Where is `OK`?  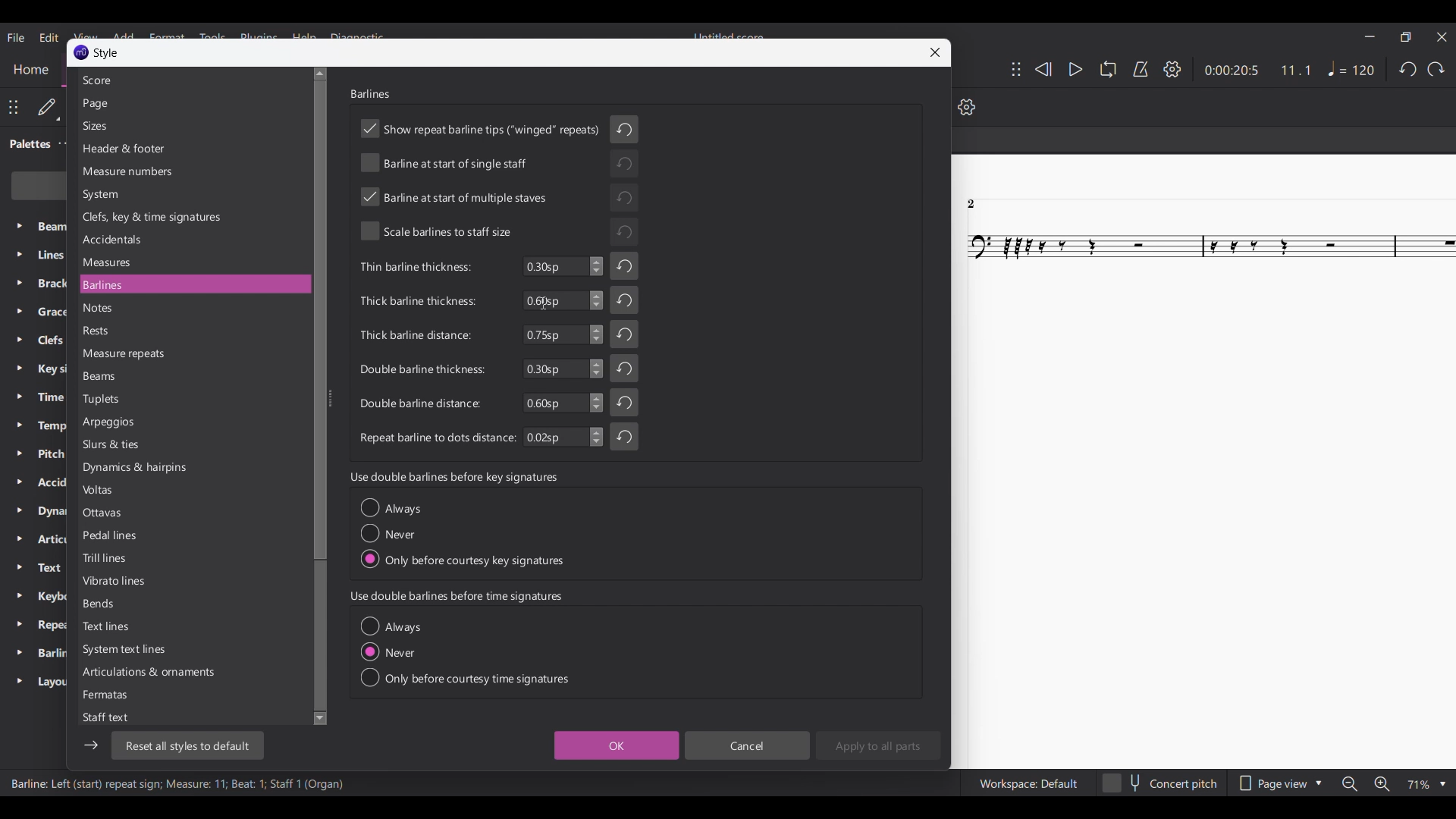
OK is located at coordinates (617, 745).